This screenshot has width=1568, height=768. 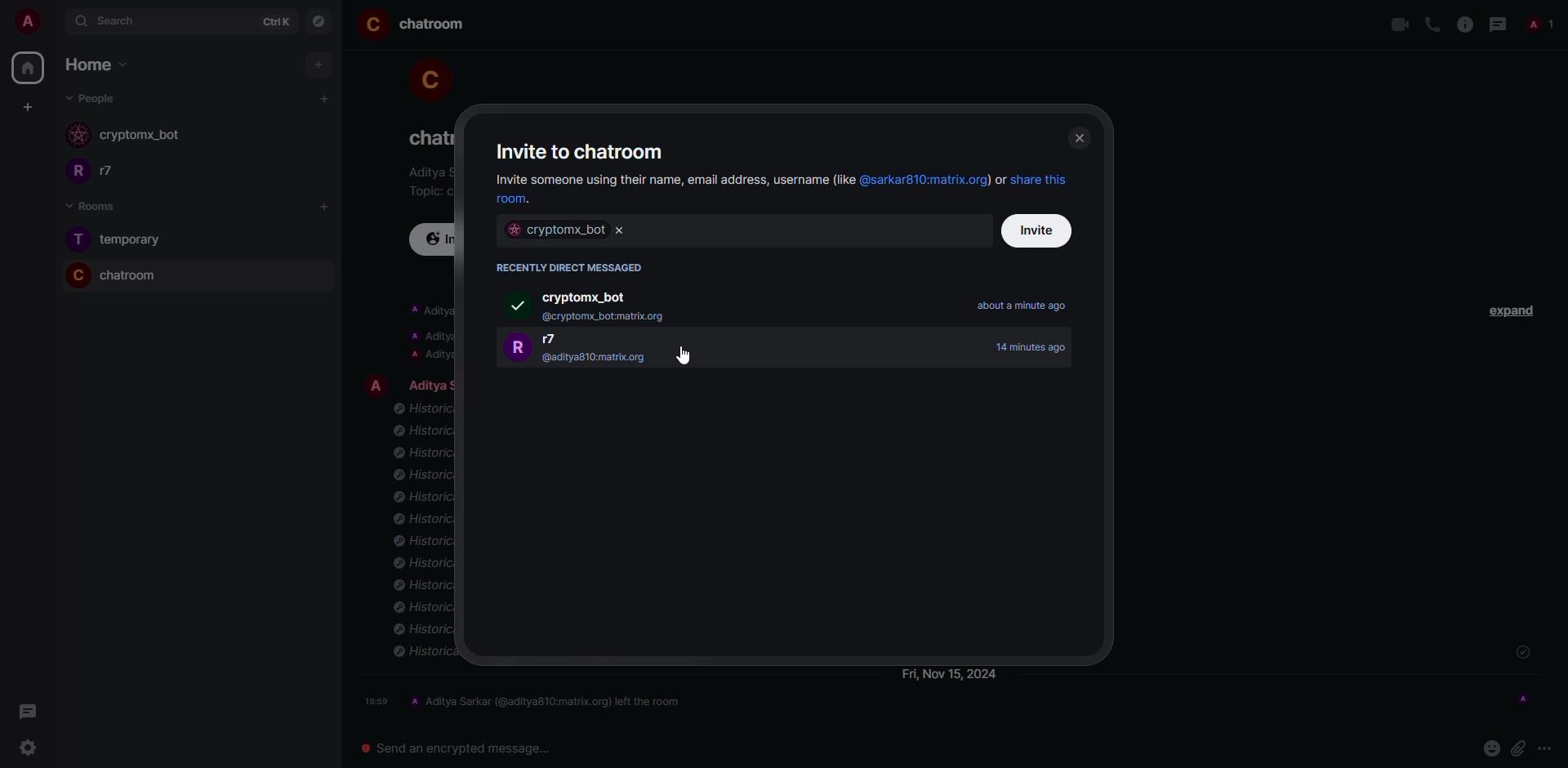 What do you see at coordinates (326, 98) in the screenshot?
I see `add` at bounding box center [326, 98].